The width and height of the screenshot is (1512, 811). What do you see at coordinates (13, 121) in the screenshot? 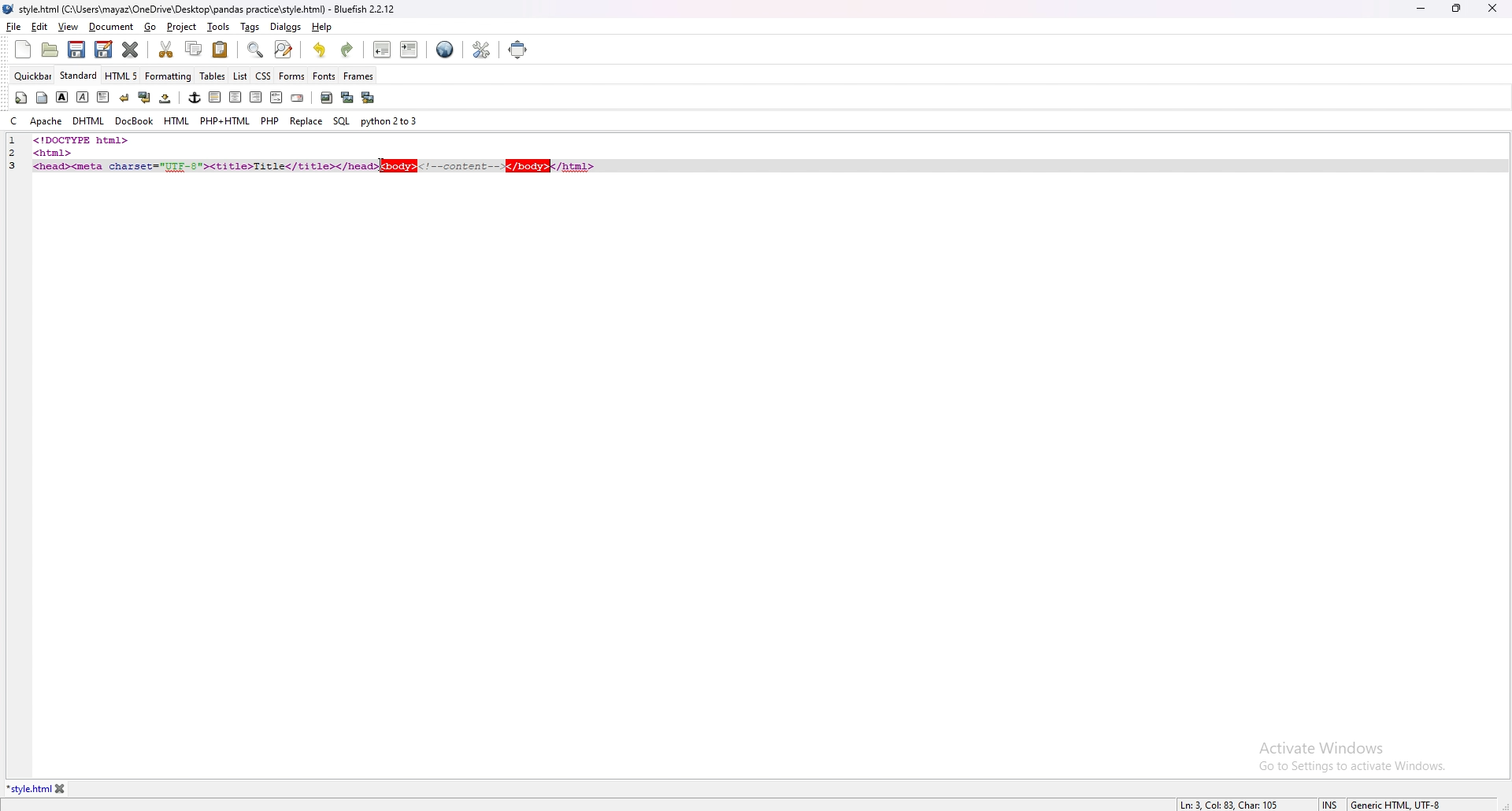
I see `c` at bounding box center [13, 121].